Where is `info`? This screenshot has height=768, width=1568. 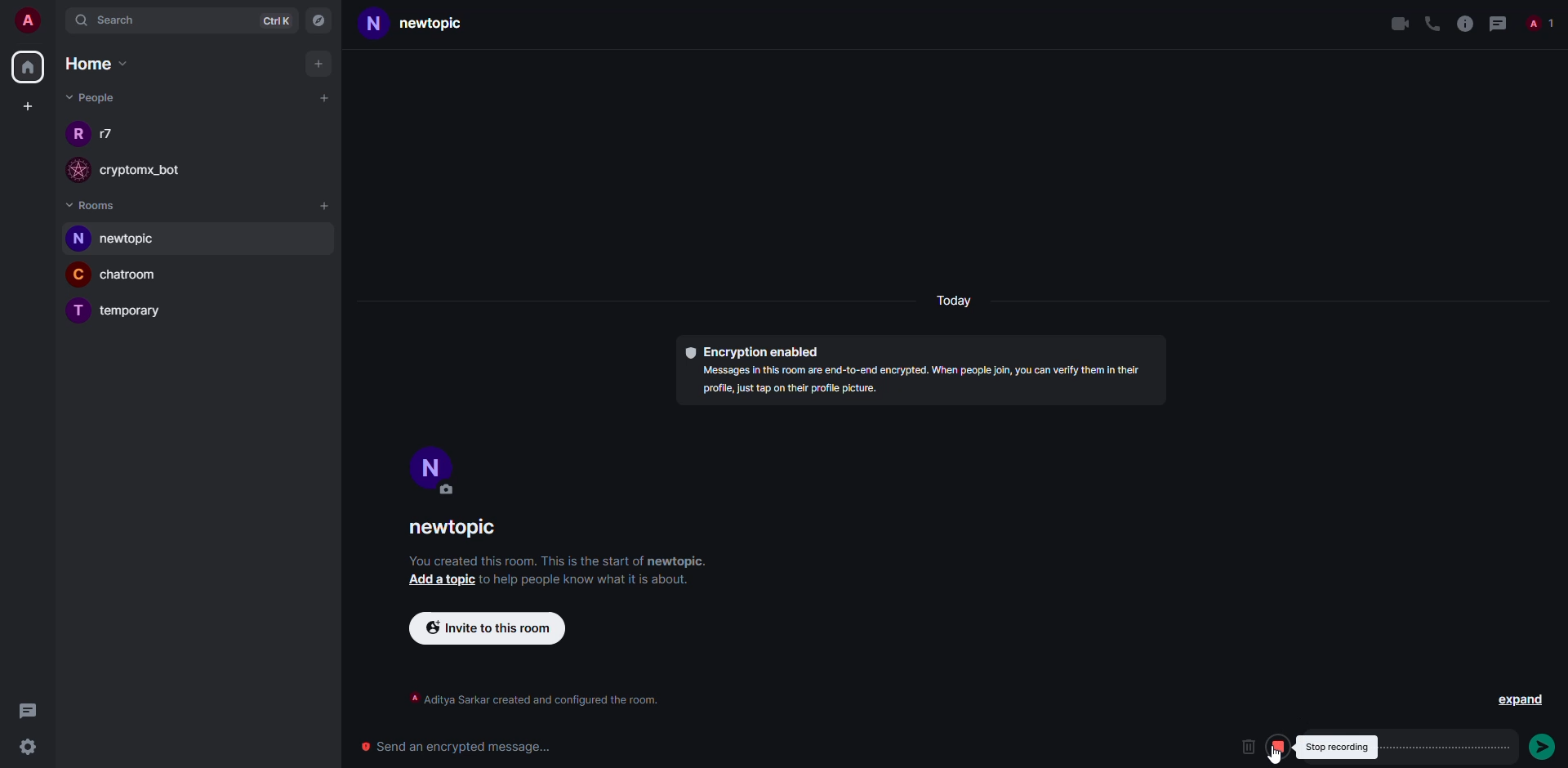
info is located at coordinates (590, 583).